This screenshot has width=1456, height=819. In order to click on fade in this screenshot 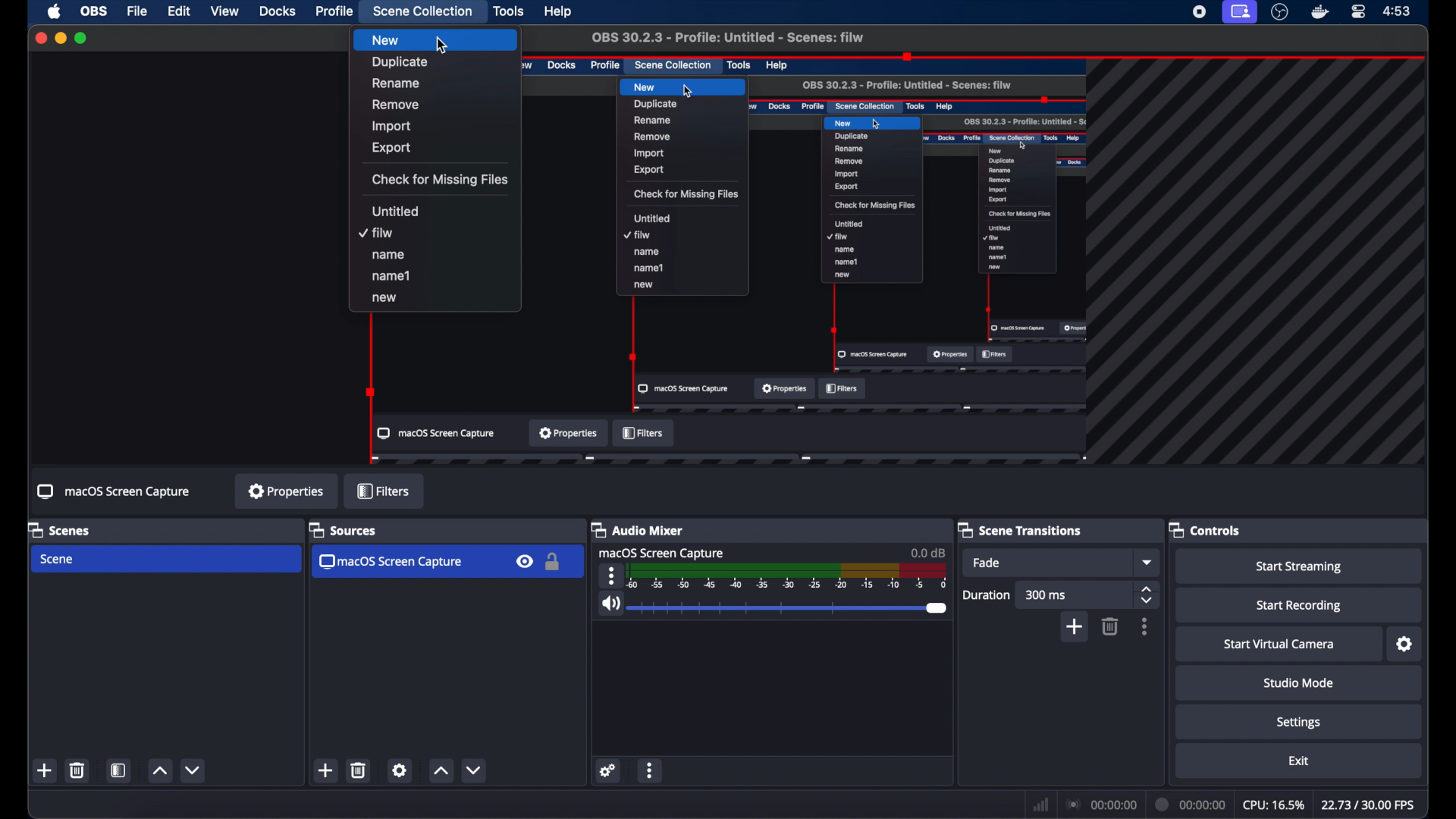, I will do `click(986, 563)`.